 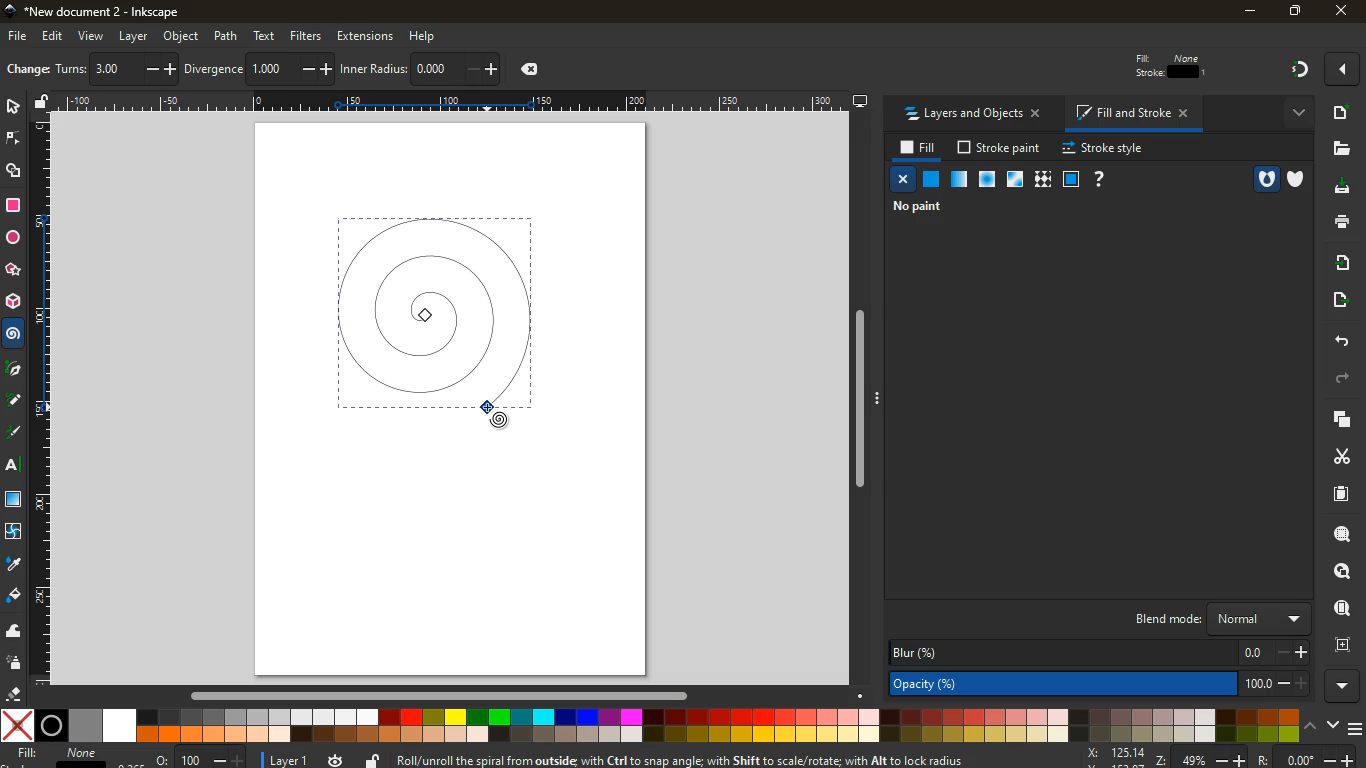 What do you see at coordinates (1246, 12) in the screenshot?
I see `minimize` at bounding box center [1246, 12].